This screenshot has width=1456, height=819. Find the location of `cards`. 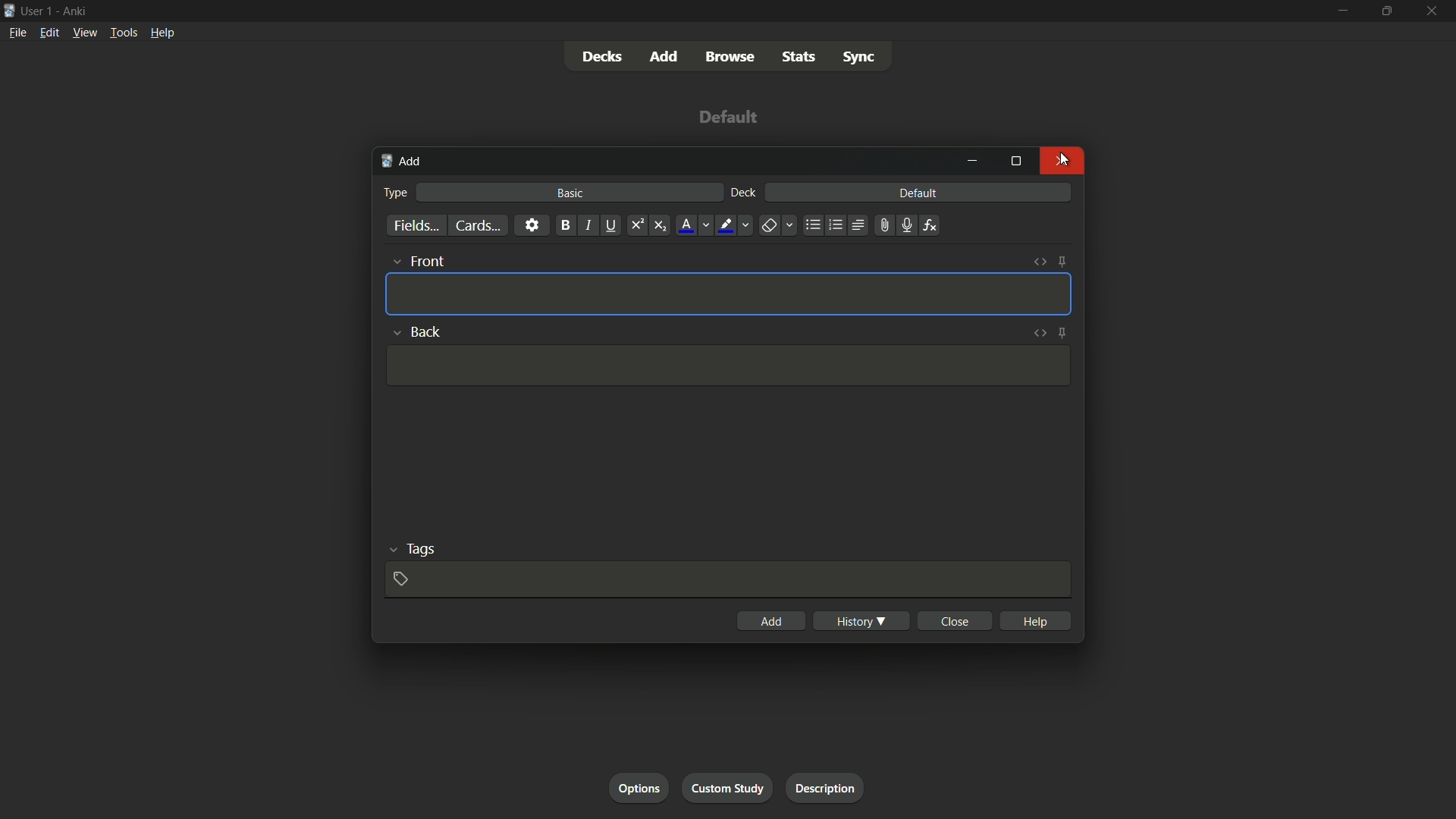

cards is located at coordinates (477, 225).